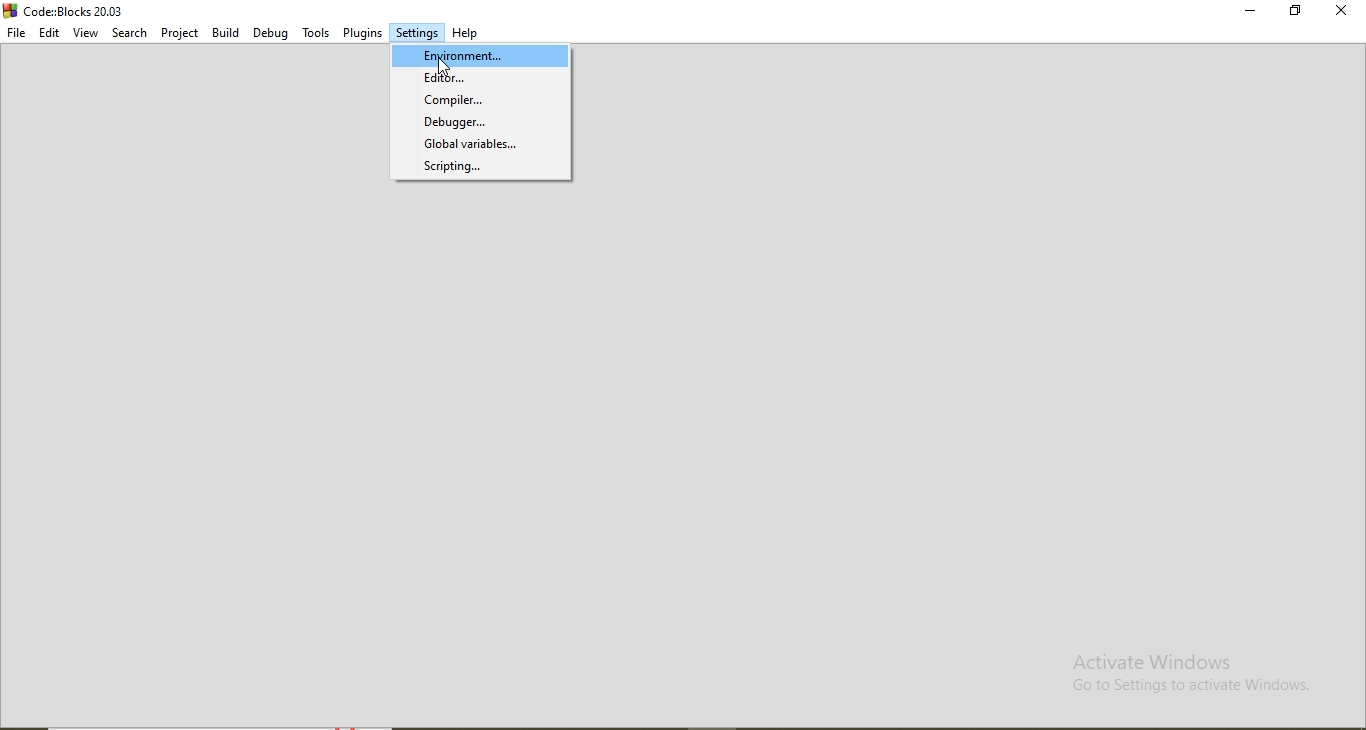 The width and height of the screenshot is (1366, 730). Describe the element at coordinates (1342, 11) in the screenshot. I see `Close` at that location.